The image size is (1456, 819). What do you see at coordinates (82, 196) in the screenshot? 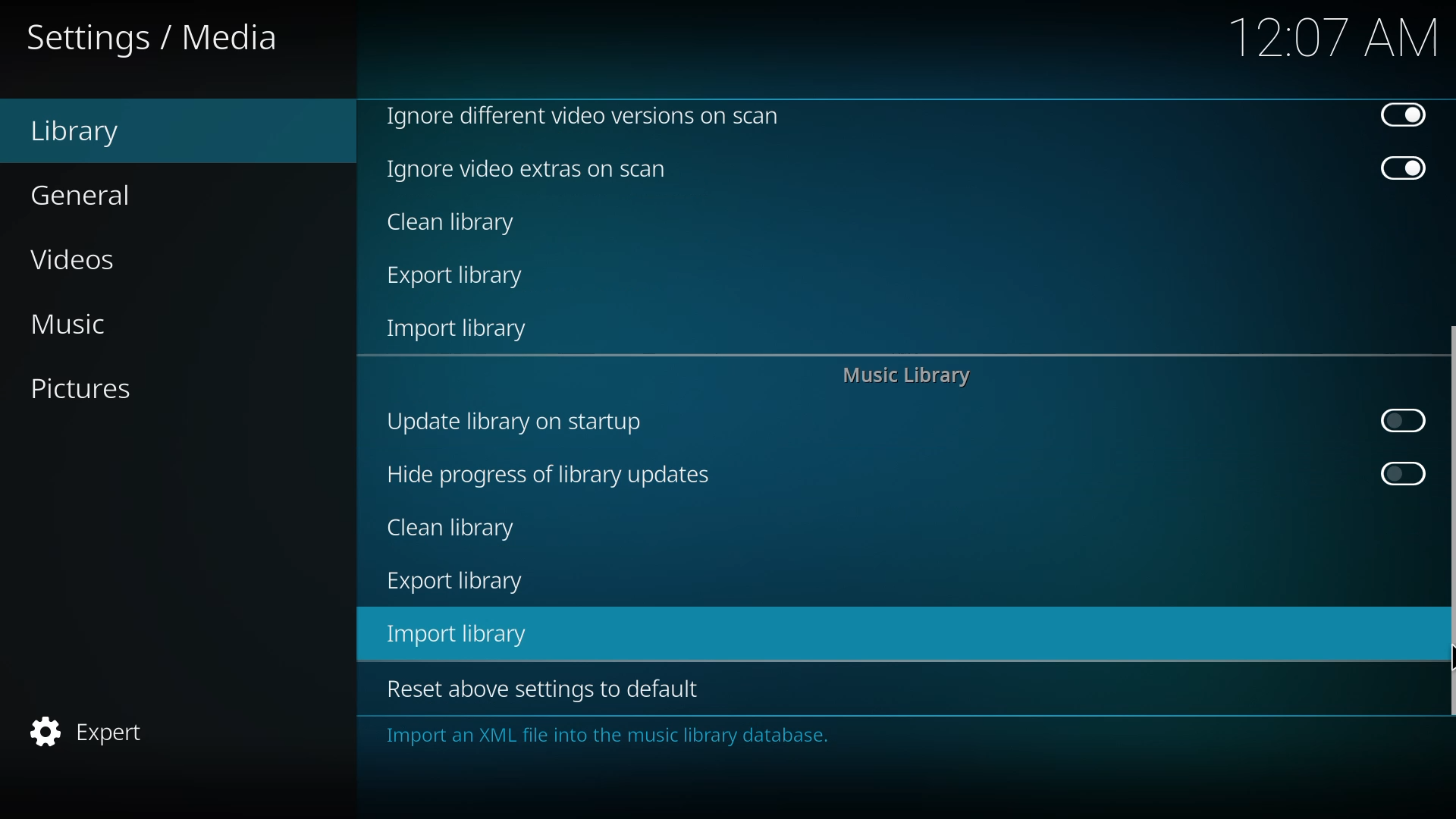
I see `general` at bounding box center [82, 196].